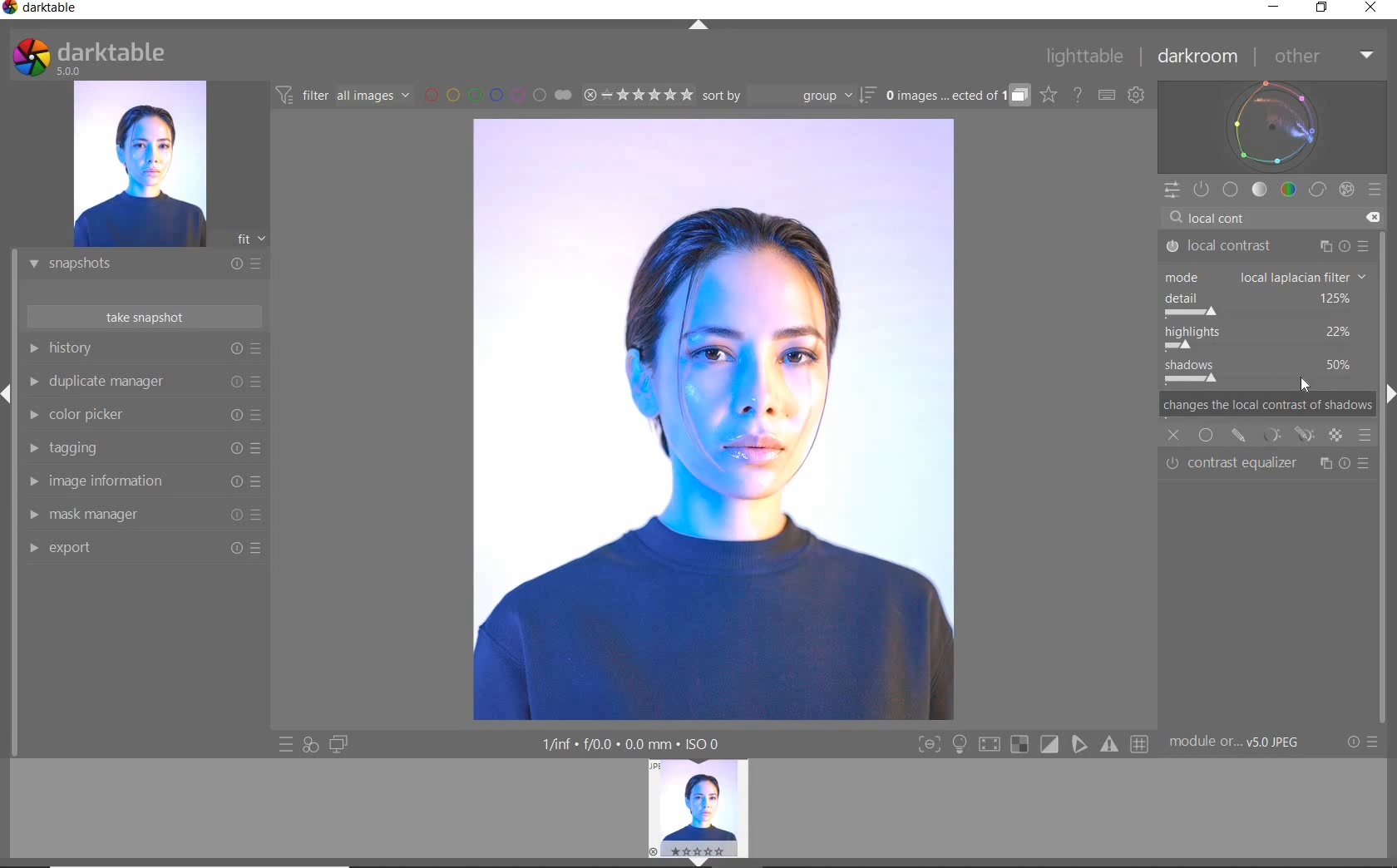  Describe the element at coordinates (1246, 742) in the screenshot. I see `MODULE...v5.0 JPEG` at that location.